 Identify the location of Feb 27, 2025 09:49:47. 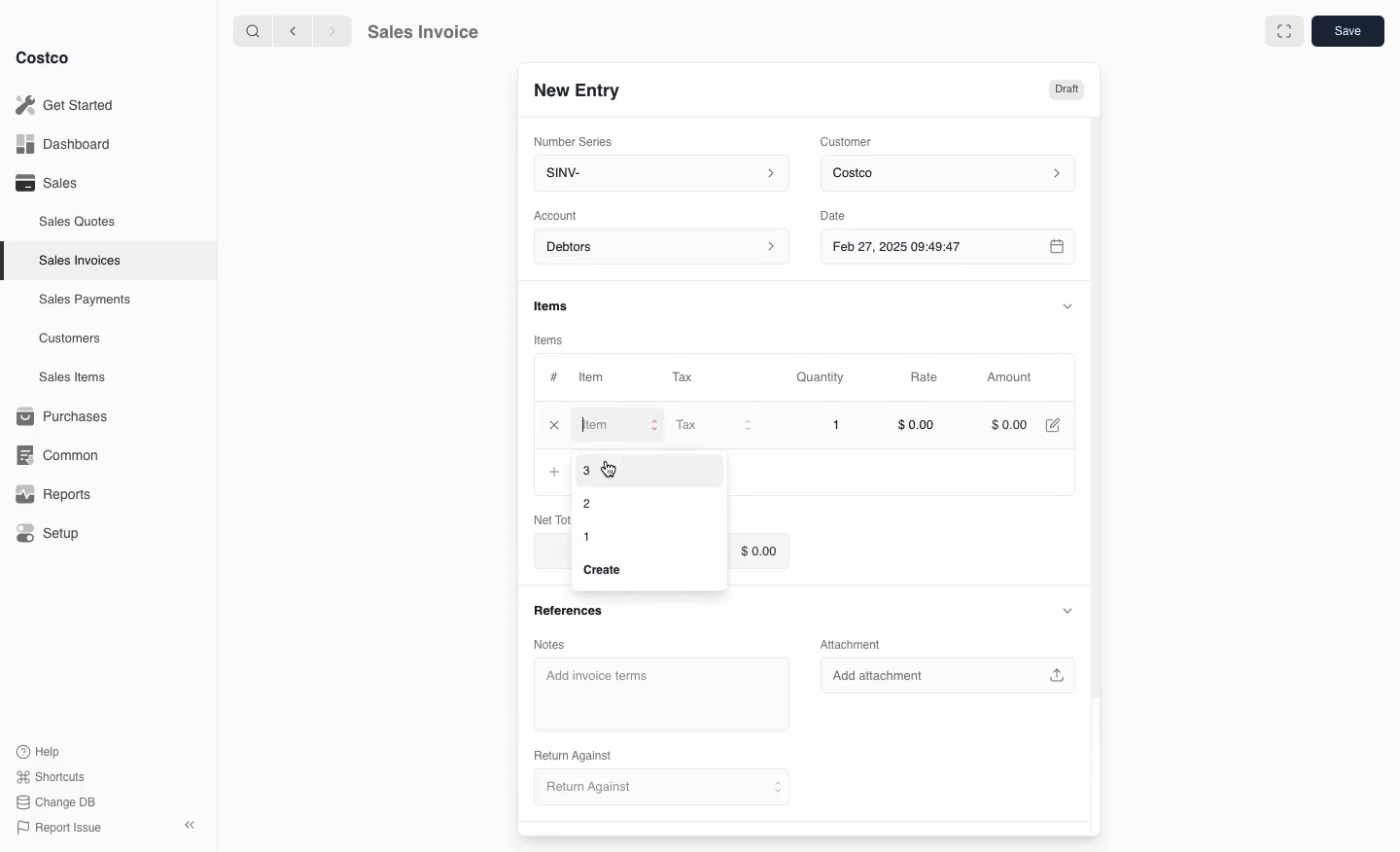
(947, 246).